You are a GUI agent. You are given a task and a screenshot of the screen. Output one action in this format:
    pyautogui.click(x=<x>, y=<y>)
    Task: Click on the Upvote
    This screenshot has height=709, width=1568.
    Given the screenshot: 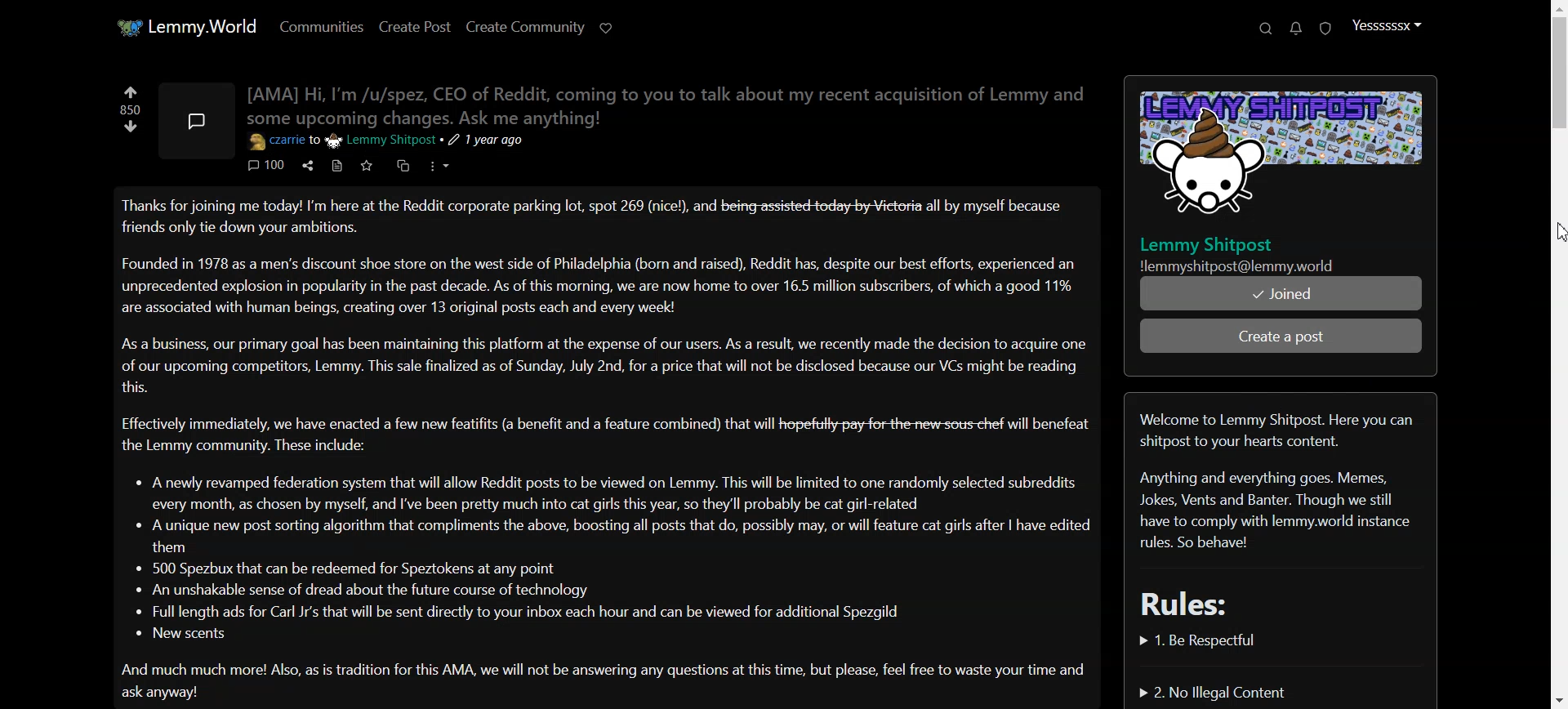 What is the action you would take?
    pyautogui.click(x=130, y=92)
    